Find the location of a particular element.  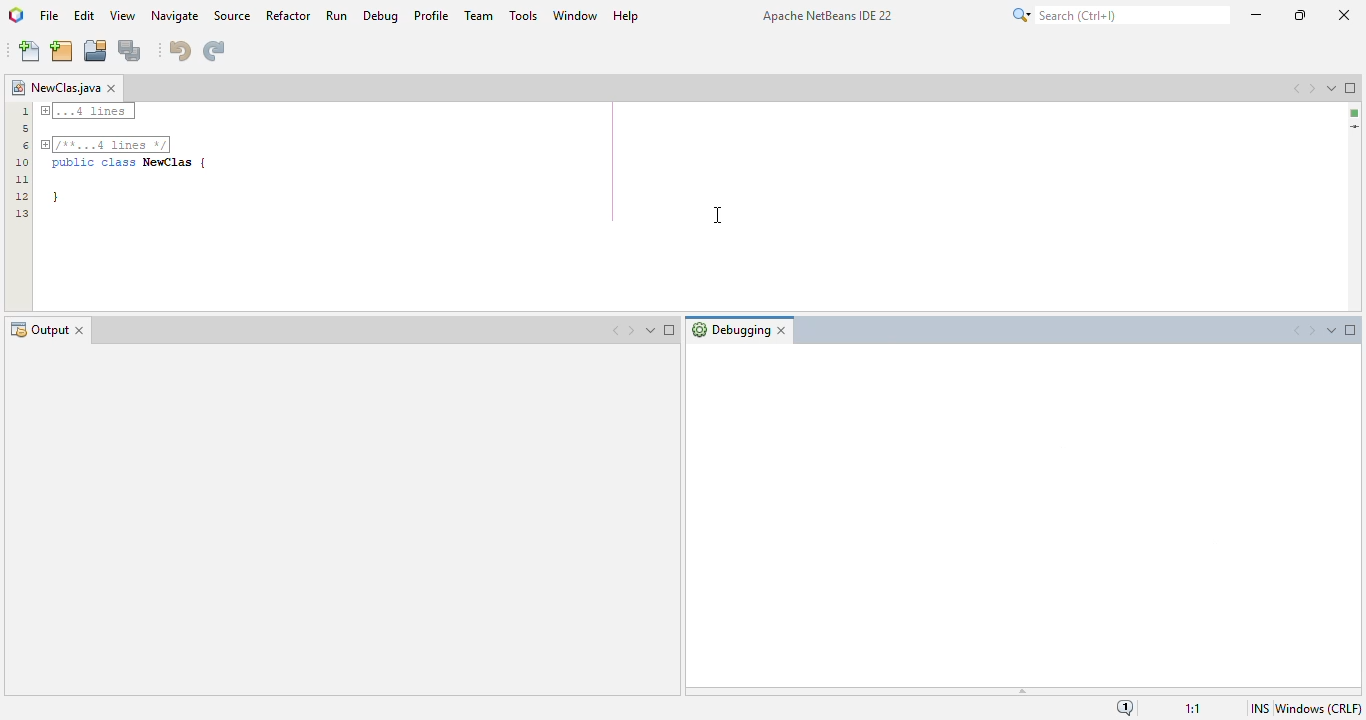

search (Ctrl + I) is located at coordinates (1120, 15).